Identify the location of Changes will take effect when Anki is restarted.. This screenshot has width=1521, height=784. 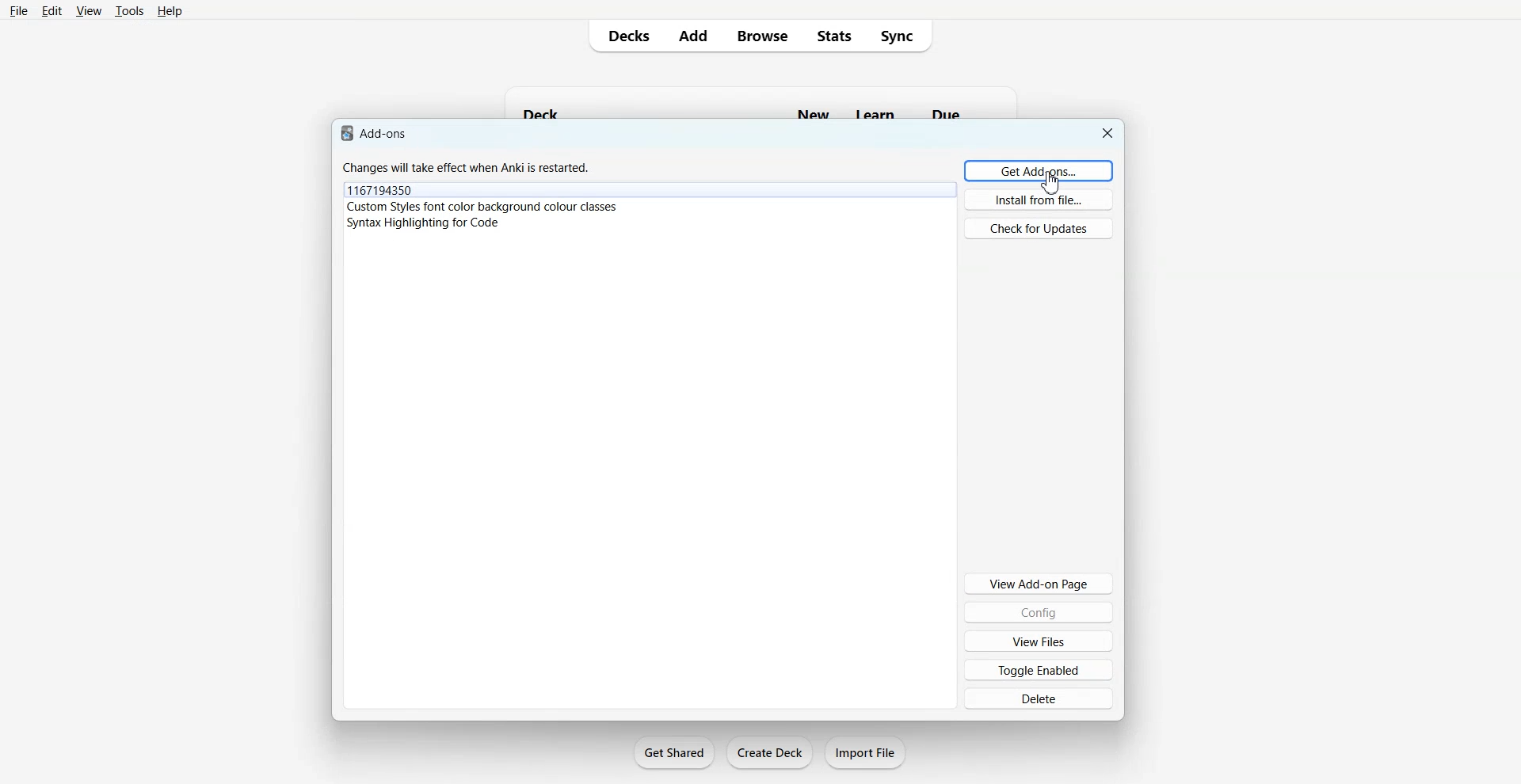
(471, 167).